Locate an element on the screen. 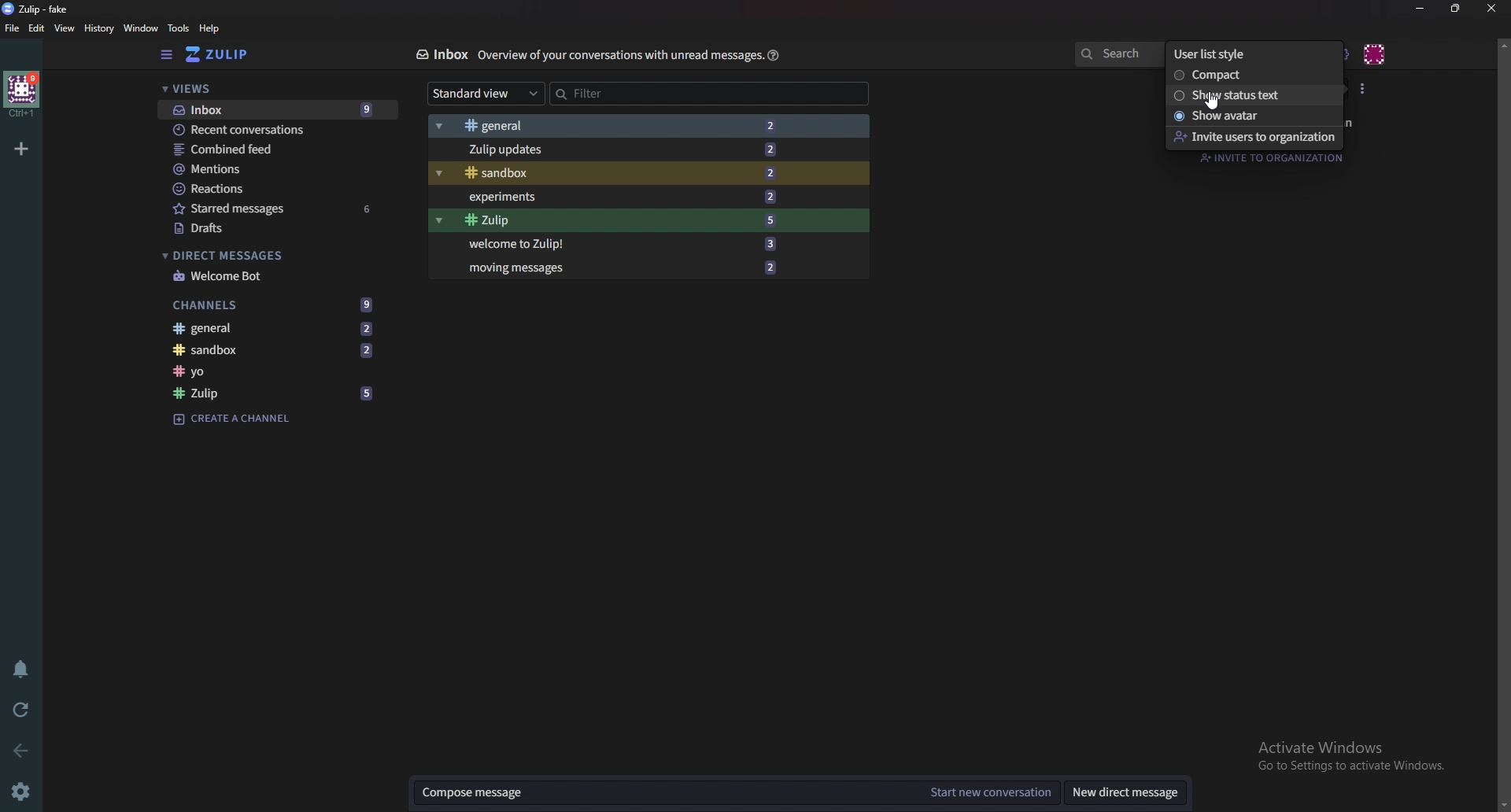 This screenshot has height=812, width=1511. Standard view is located at coordinates (482, 93).